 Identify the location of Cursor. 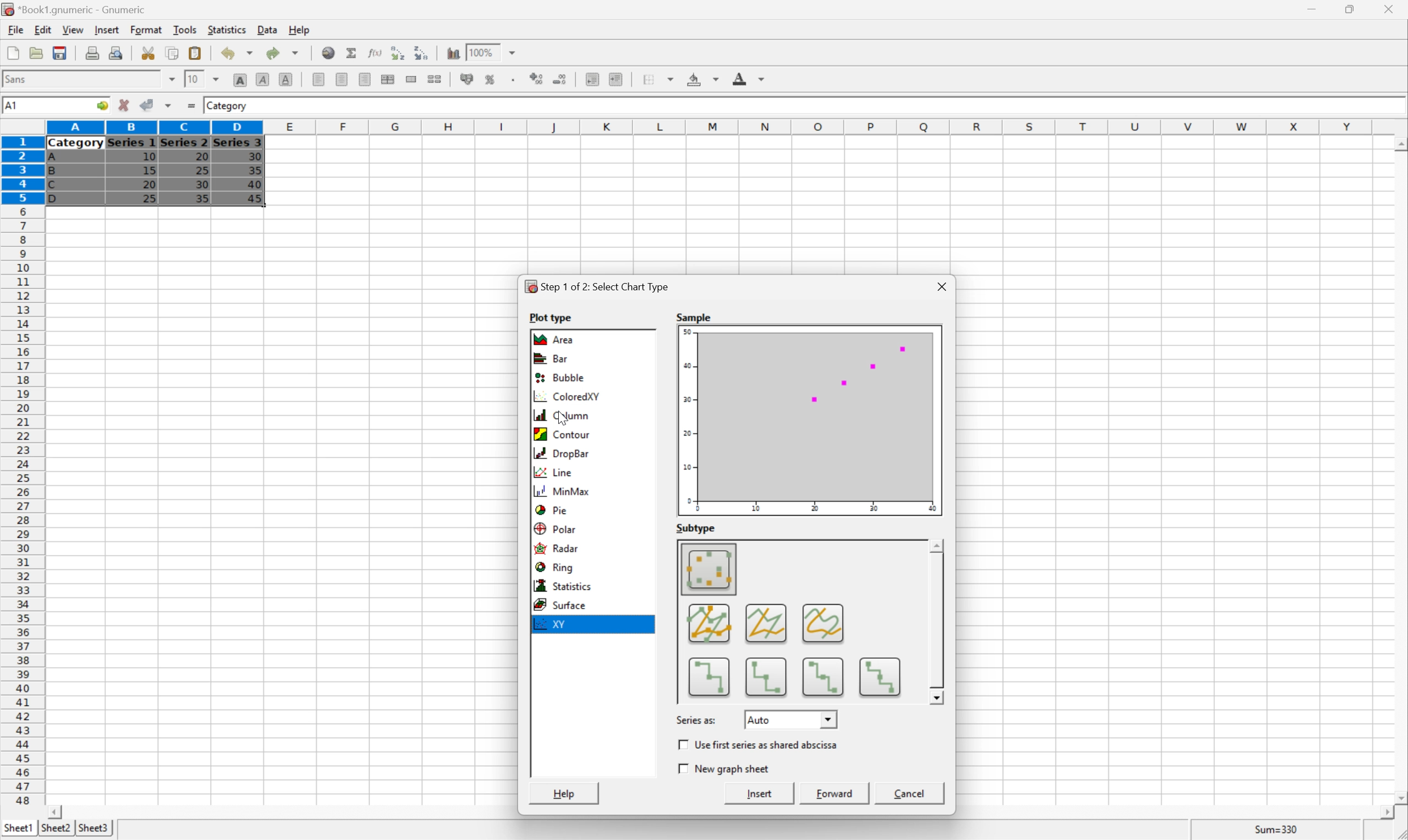
(242, 196).